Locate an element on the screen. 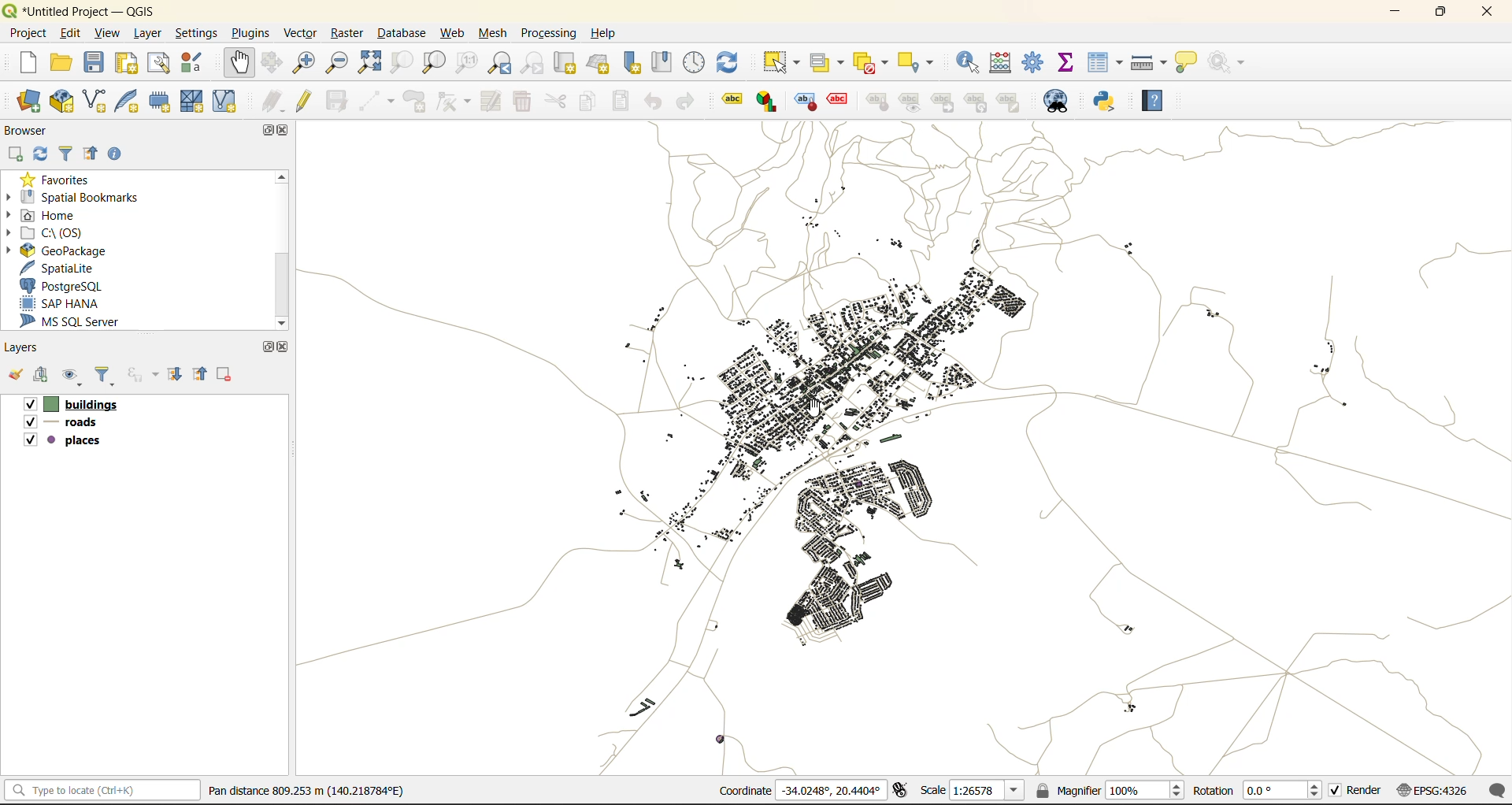 The width and height of the screenshot is (1512, 805). geopackage is located at coordinates (80, 250).